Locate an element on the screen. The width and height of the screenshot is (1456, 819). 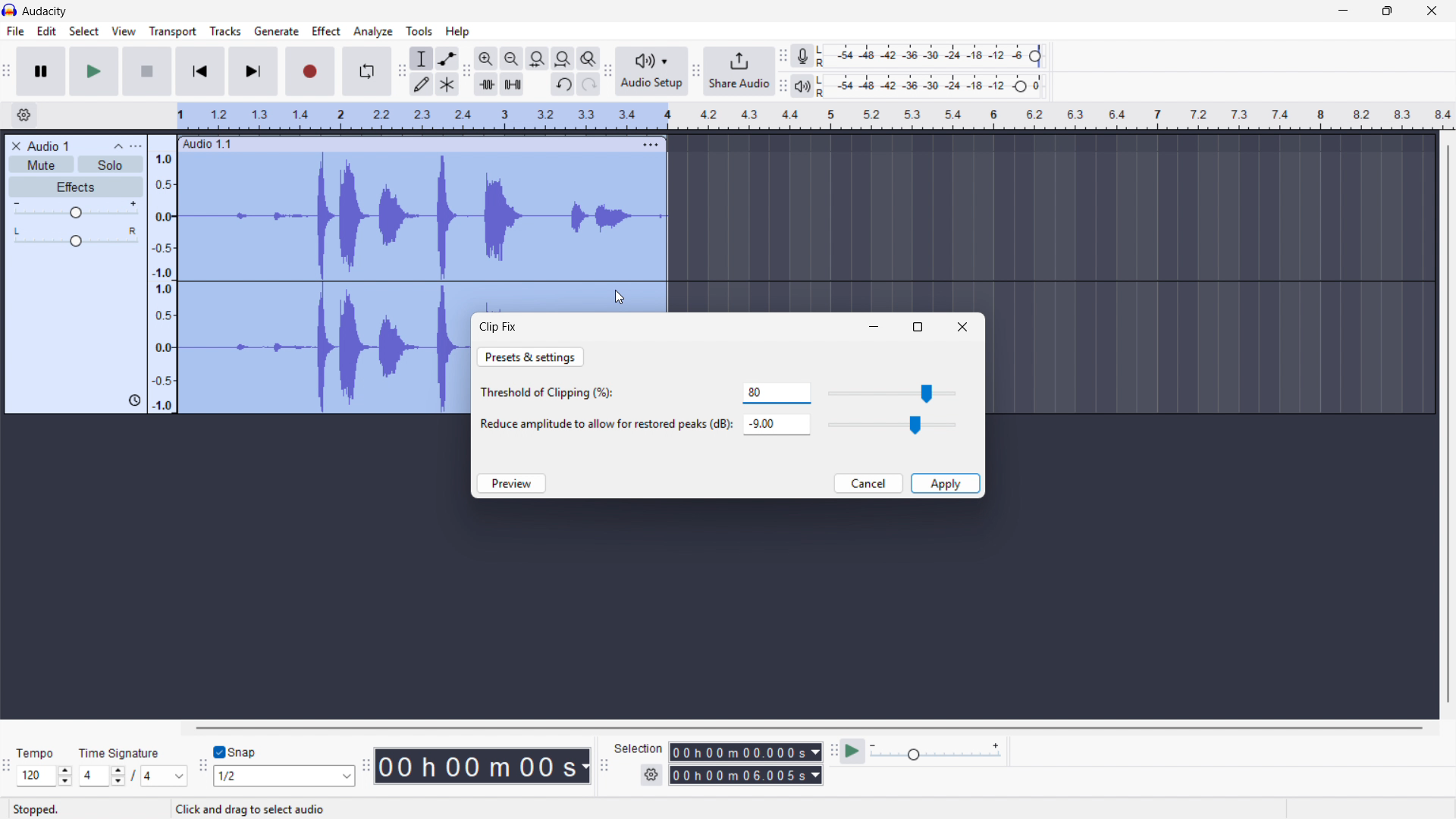
Timeline is located at coordinates (816, 116).